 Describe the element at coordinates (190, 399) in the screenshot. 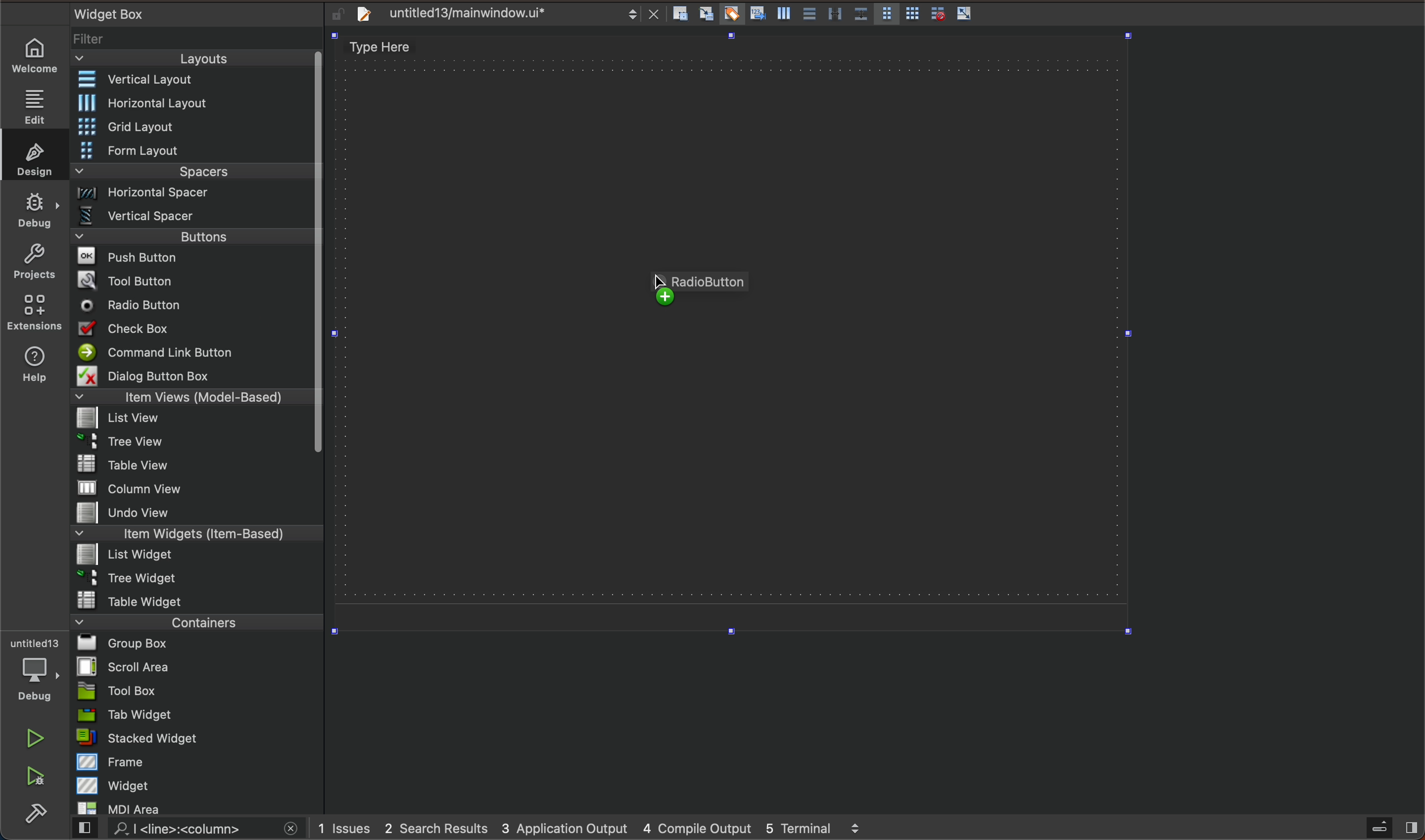

I see `item views` at that location.